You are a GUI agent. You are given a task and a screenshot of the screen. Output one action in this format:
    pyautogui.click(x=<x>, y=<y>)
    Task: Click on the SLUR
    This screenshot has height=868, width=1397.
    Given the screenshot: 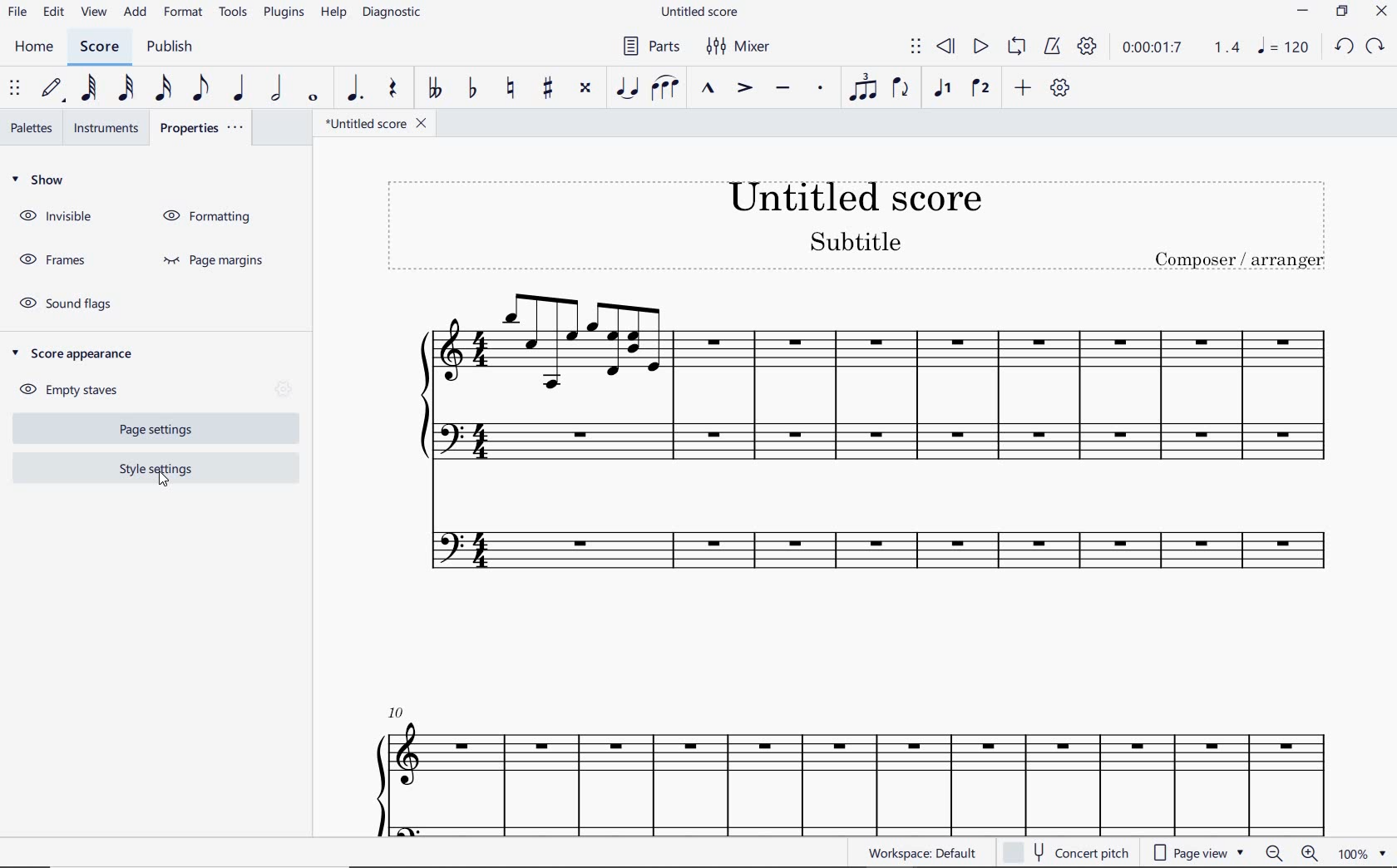 What is the action you would take?
    pyautogui.click(x=666, y=88)
    